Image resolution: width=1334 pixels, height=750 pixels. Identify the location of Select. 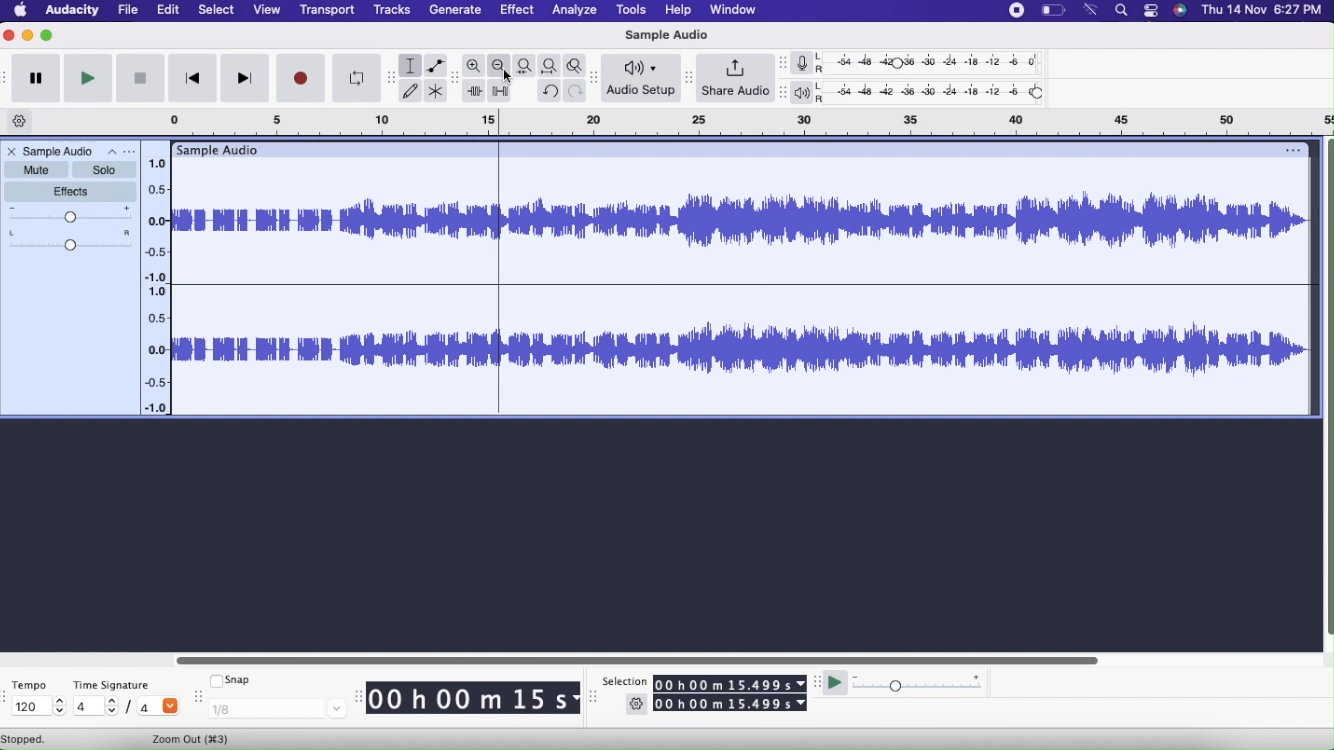
(217, 11).